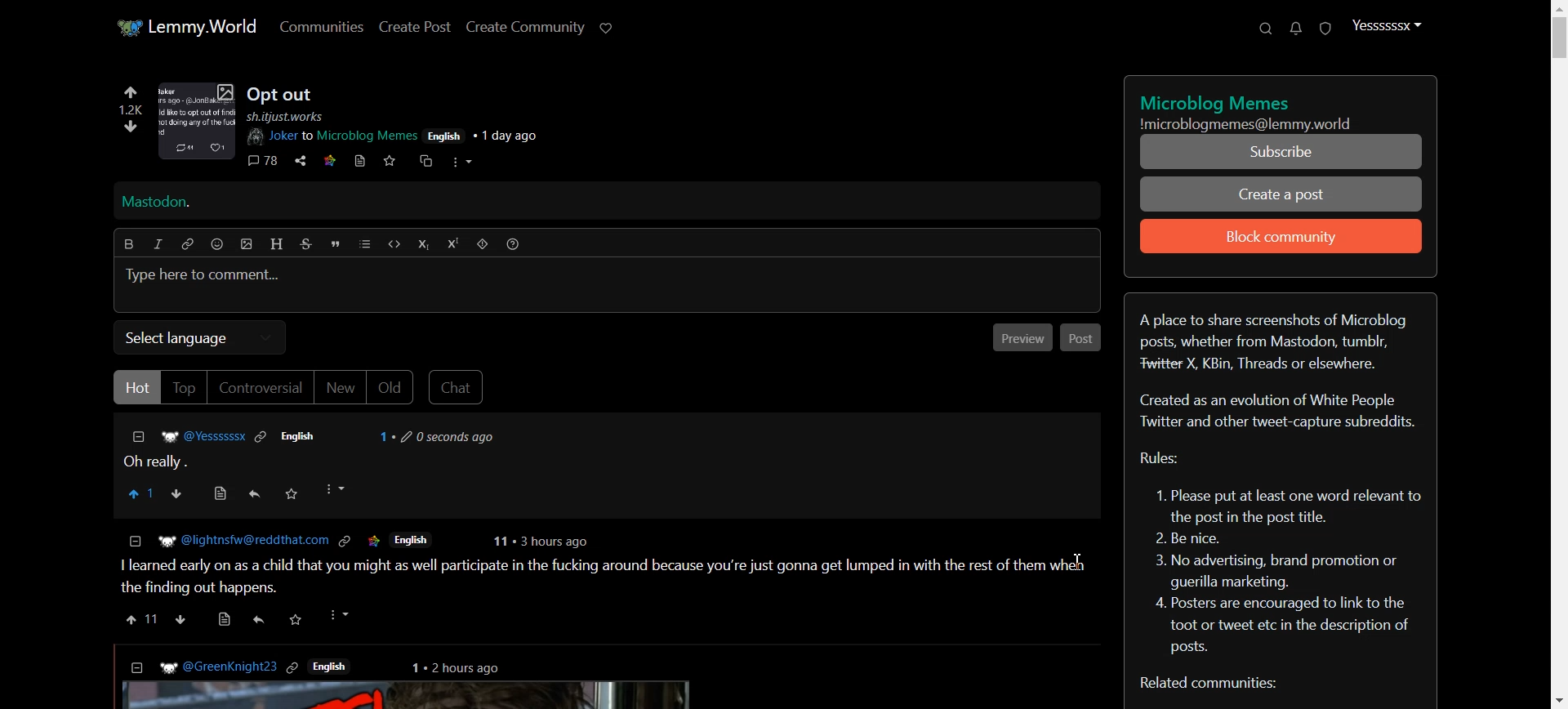 Image resolution: width=1568 pixels, height=709 pixels. I want to click on list, so click(365, 243).